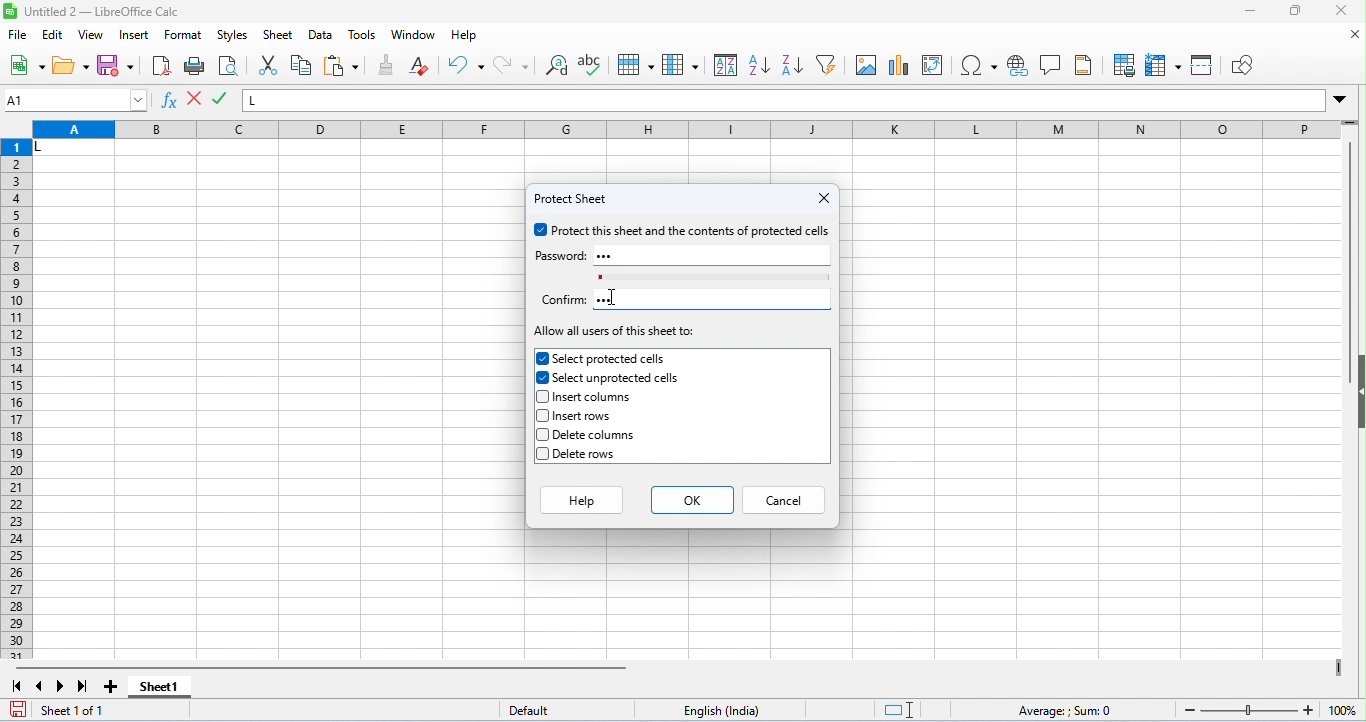 The image size is (1366, 722). What do you see at coordinates (1355, 35) in the screenshot?
I see `close` at bounding box center [1355, 35].